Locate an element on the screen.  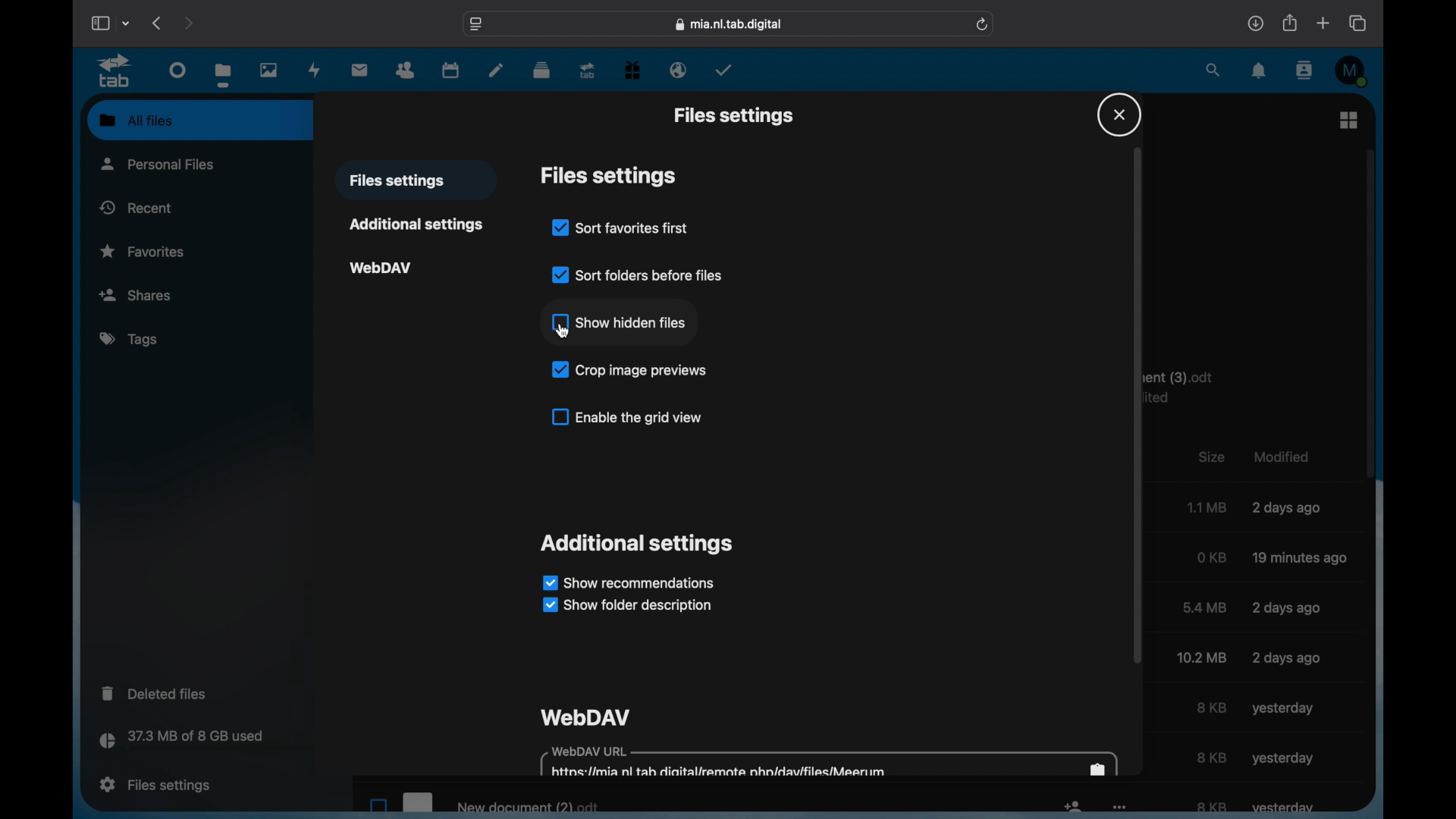
webdav is located at coordinates (584, 717).